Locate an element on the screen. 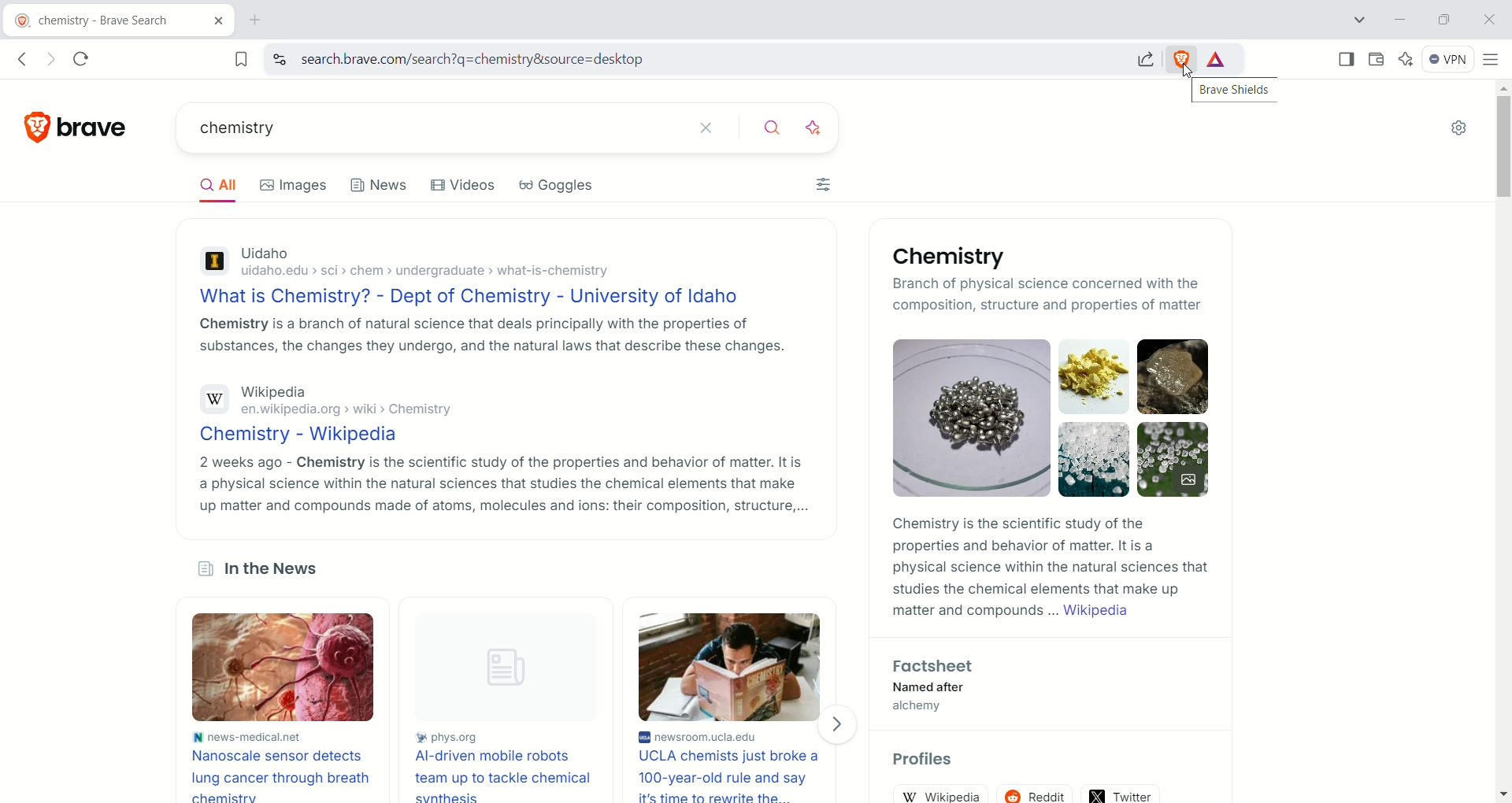 This screenshot has width=1512, height=803. Chemistry is a branch of natural science that deals principally with the properties of substances, the changes they undergo, and the natural laws that describe these changes. is located at coordinates (488, 335).